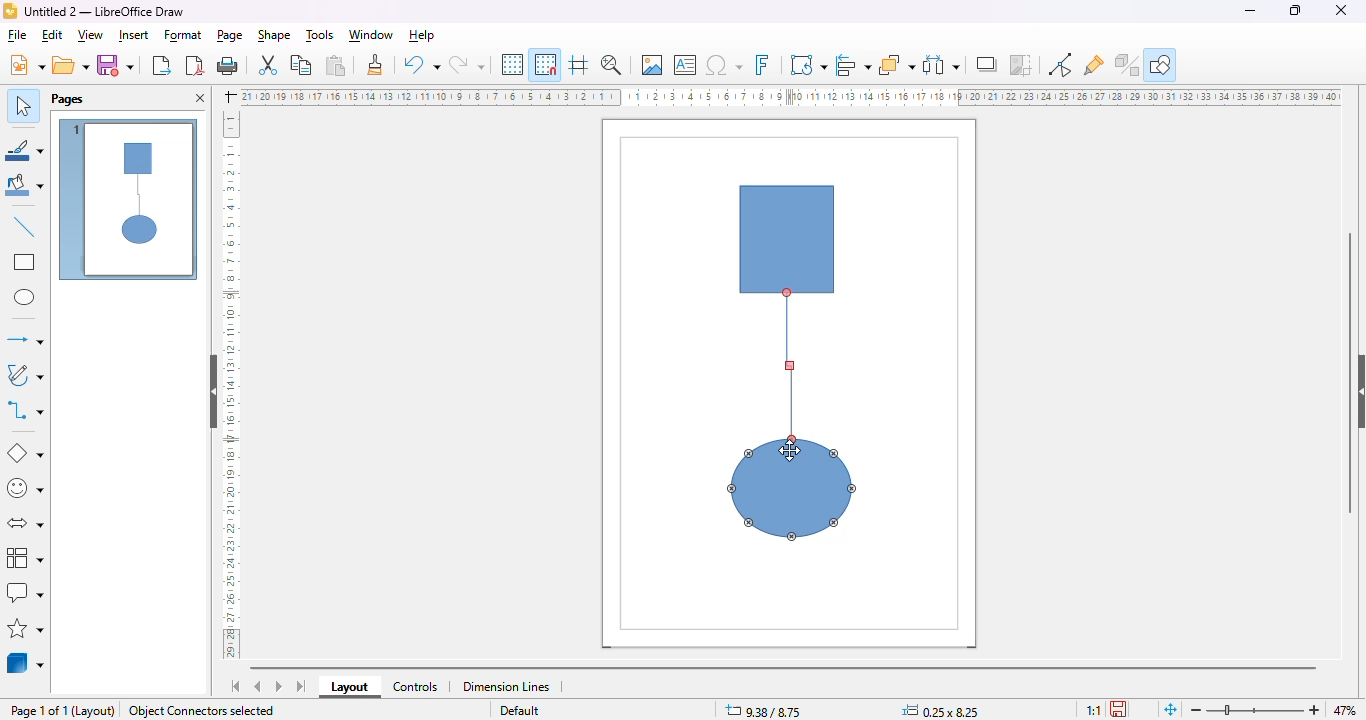 This screenshot has width=1366, height=720. What do you see at coordinates (375, 65) in the screenshot?
I see `clone formatting` at bounding box center [375, 65].